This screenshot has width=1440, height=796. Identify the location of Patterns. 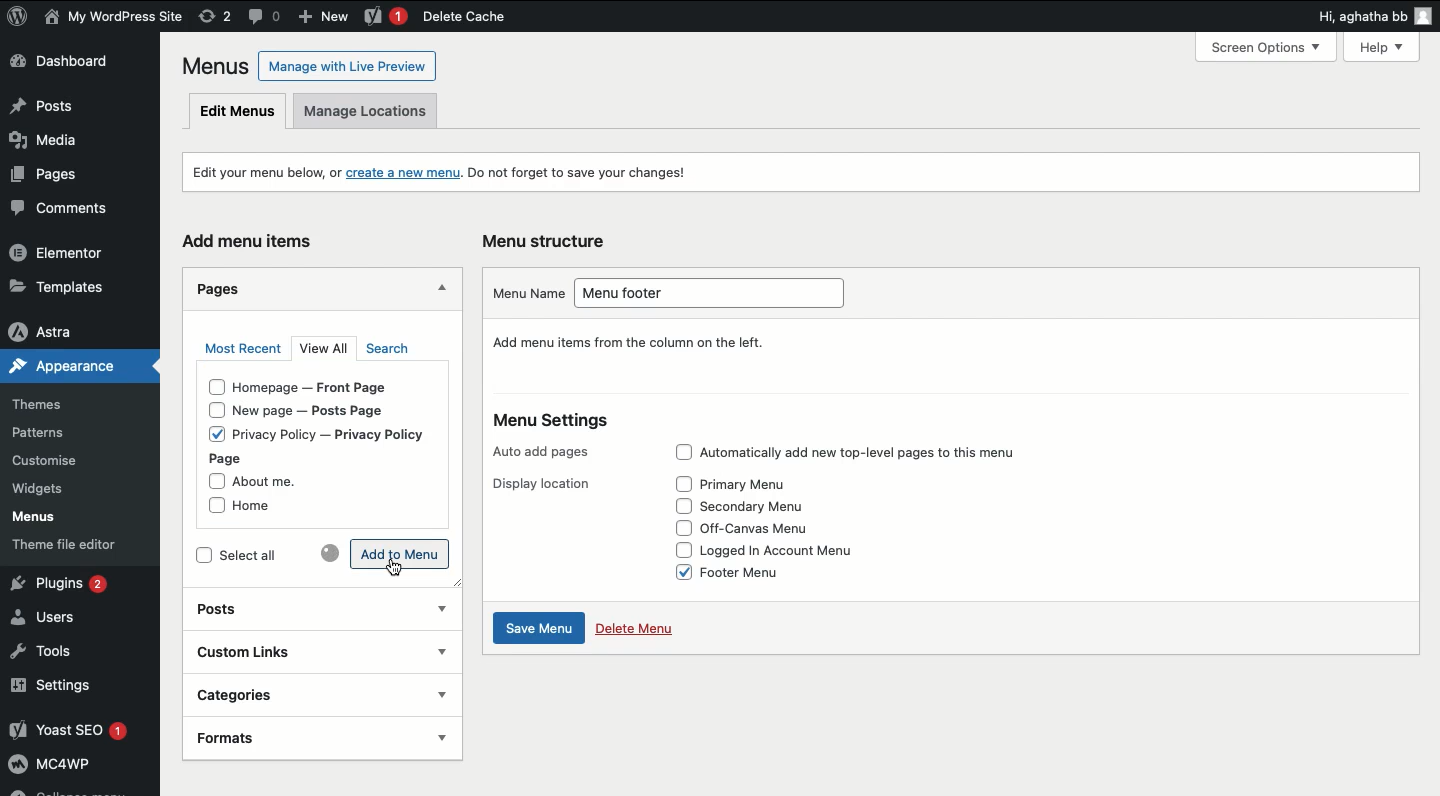
(54, 429).